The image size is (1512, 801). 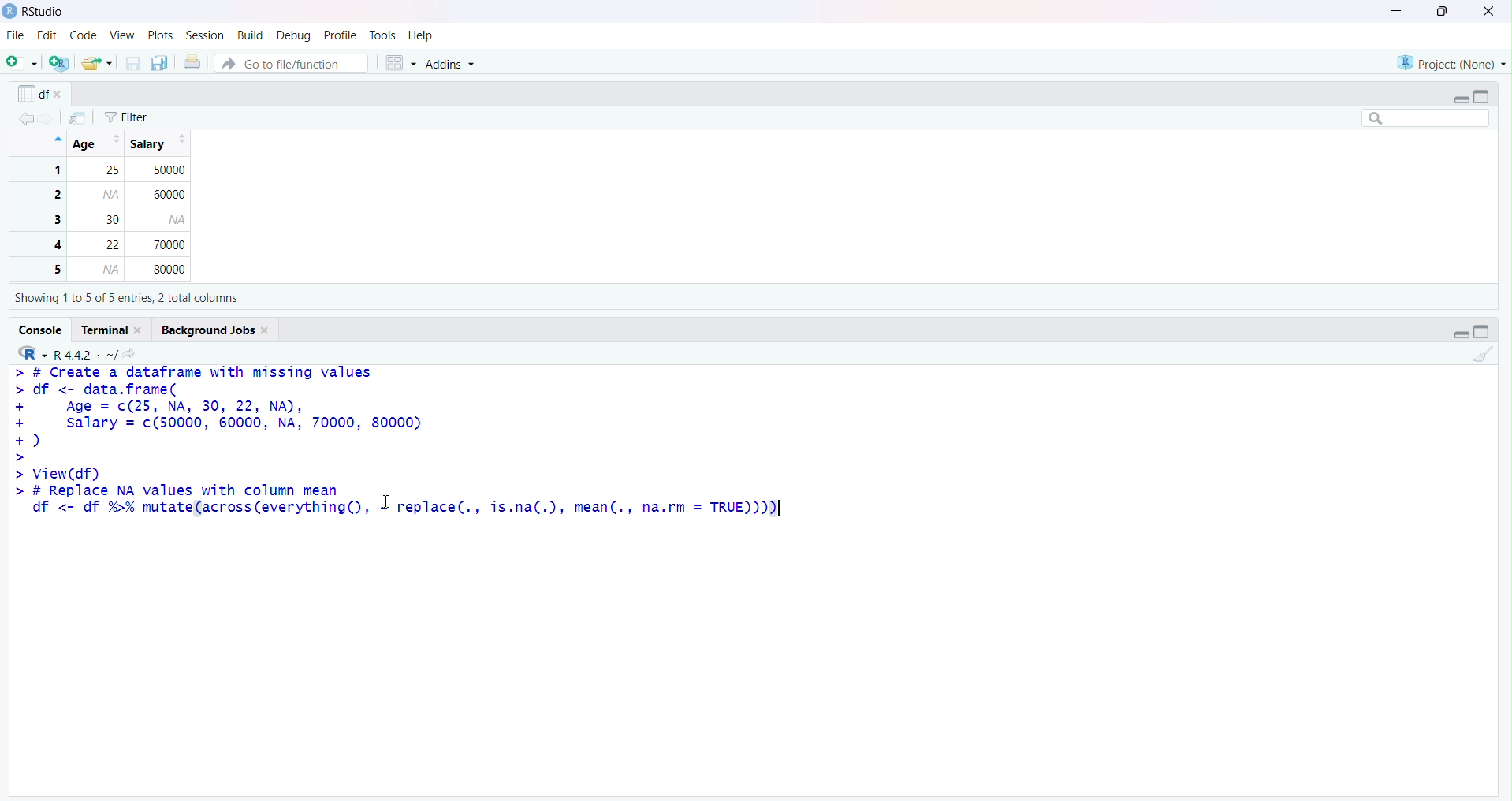 I want to click on Maximize, so click(x=1445, y=12).